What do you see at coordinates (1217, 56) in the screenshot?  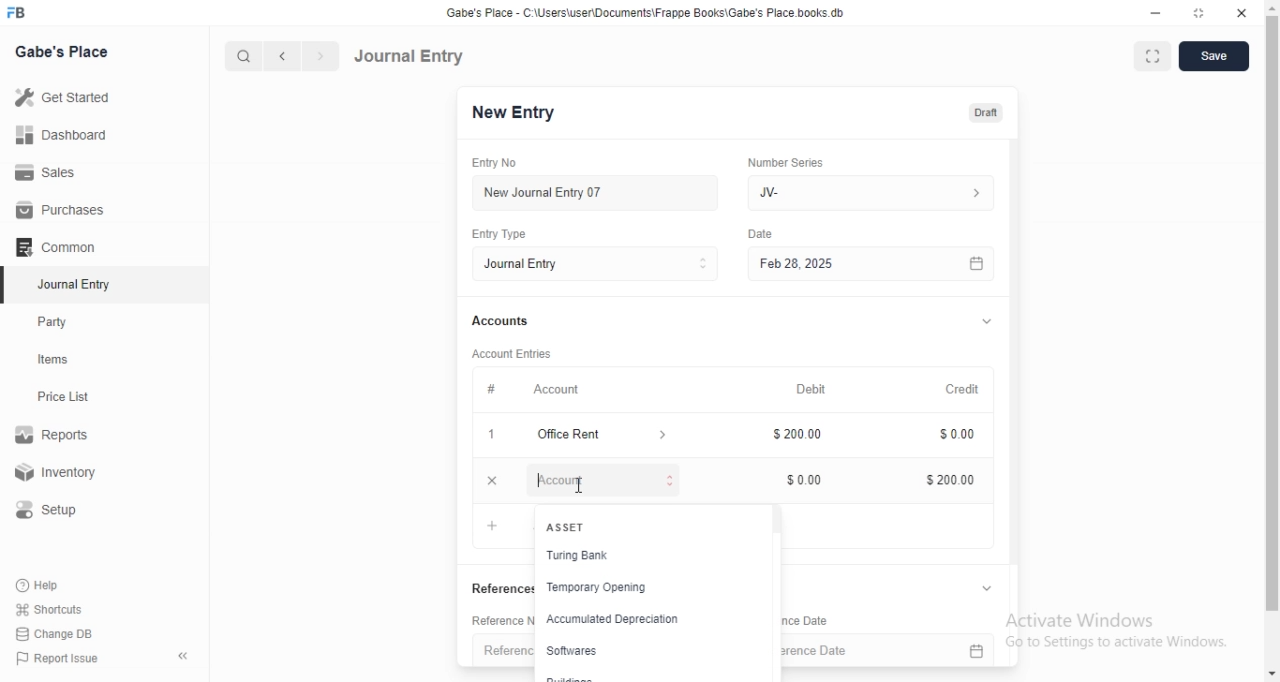 I see `save` at bounding box center [1217, 56].